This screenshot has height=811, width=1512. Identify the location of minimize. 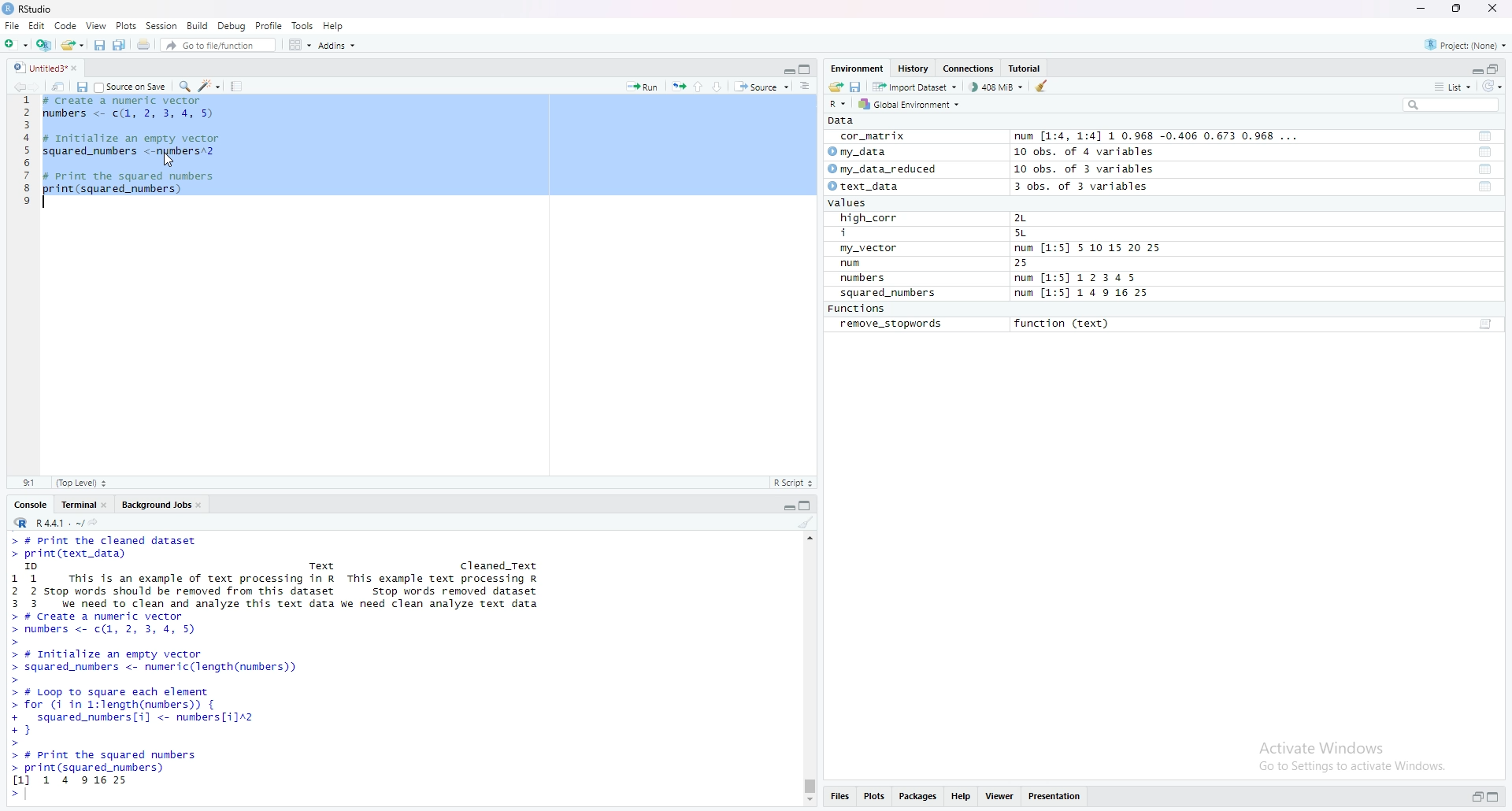
(787, 504).